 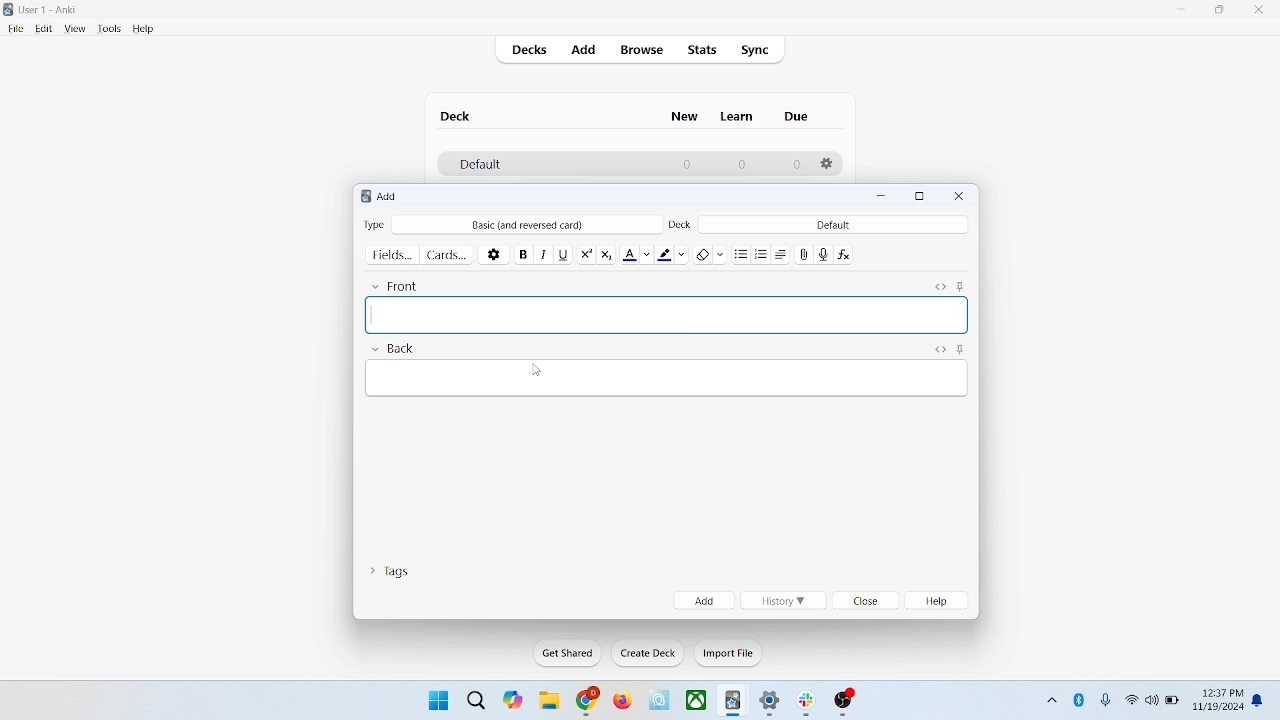 What do you see at coordinates (682, 223) in the screenshot?
I see `deck` at bounding box center [682, 223].